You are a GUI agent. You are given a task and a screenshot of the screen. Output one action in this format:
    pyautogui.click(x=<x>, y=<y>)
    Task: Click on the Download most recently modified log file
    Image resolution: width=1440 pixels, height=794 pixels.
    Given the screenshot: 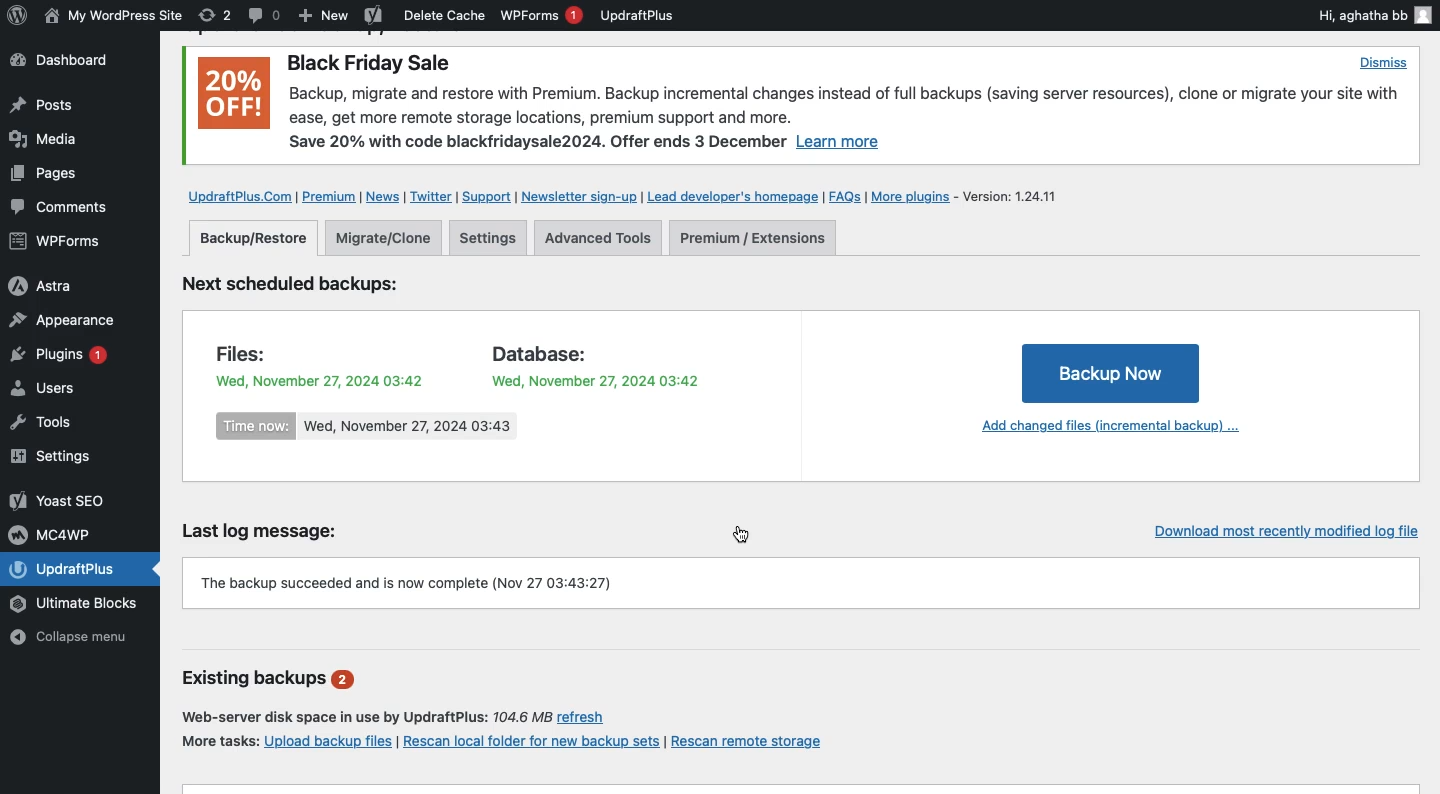 What is the action you would take?
    pyautogui.click(x=1280, y=527)
    